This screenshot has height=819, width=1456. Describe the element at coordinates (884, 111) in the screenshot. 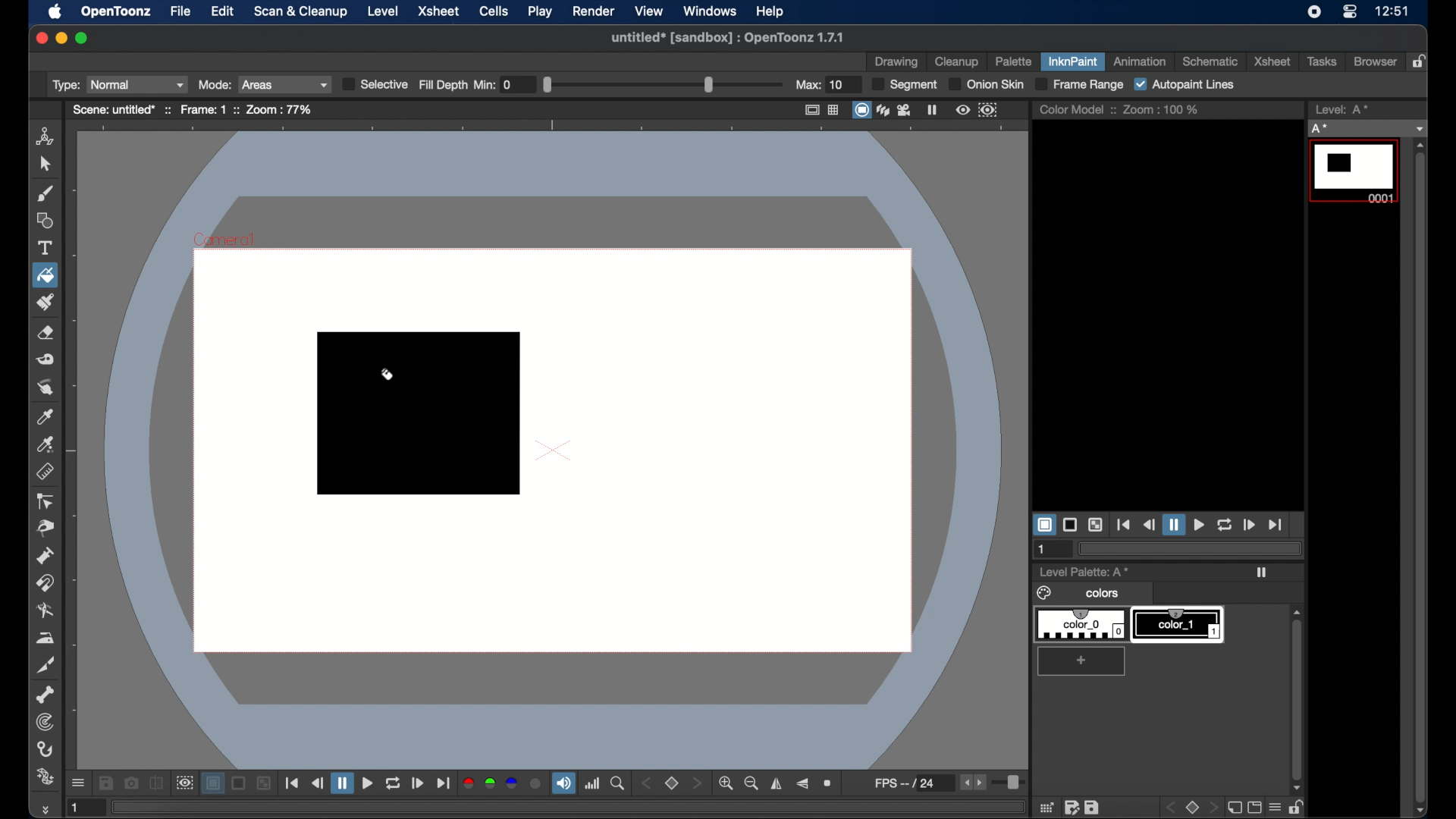

I see `3dview` at that location.